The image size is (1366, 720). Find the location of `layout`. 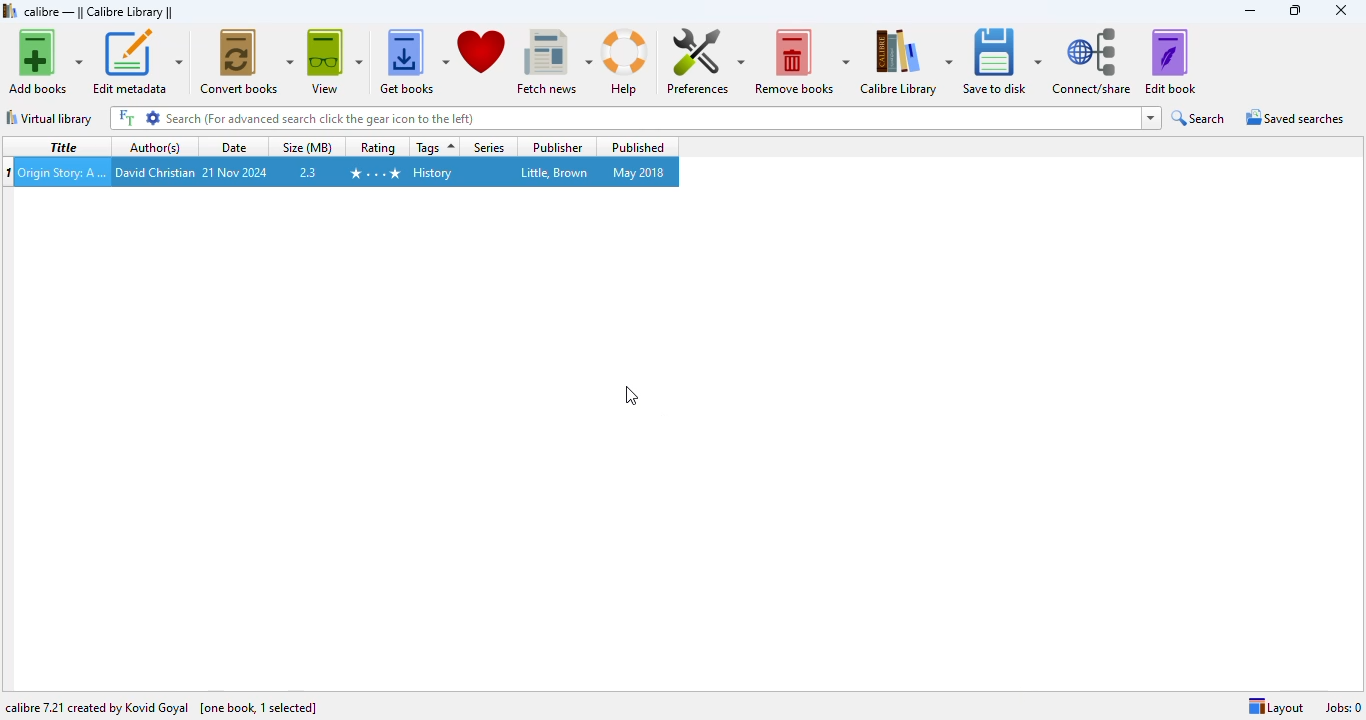

layout is located at coordinates (1275, 707).